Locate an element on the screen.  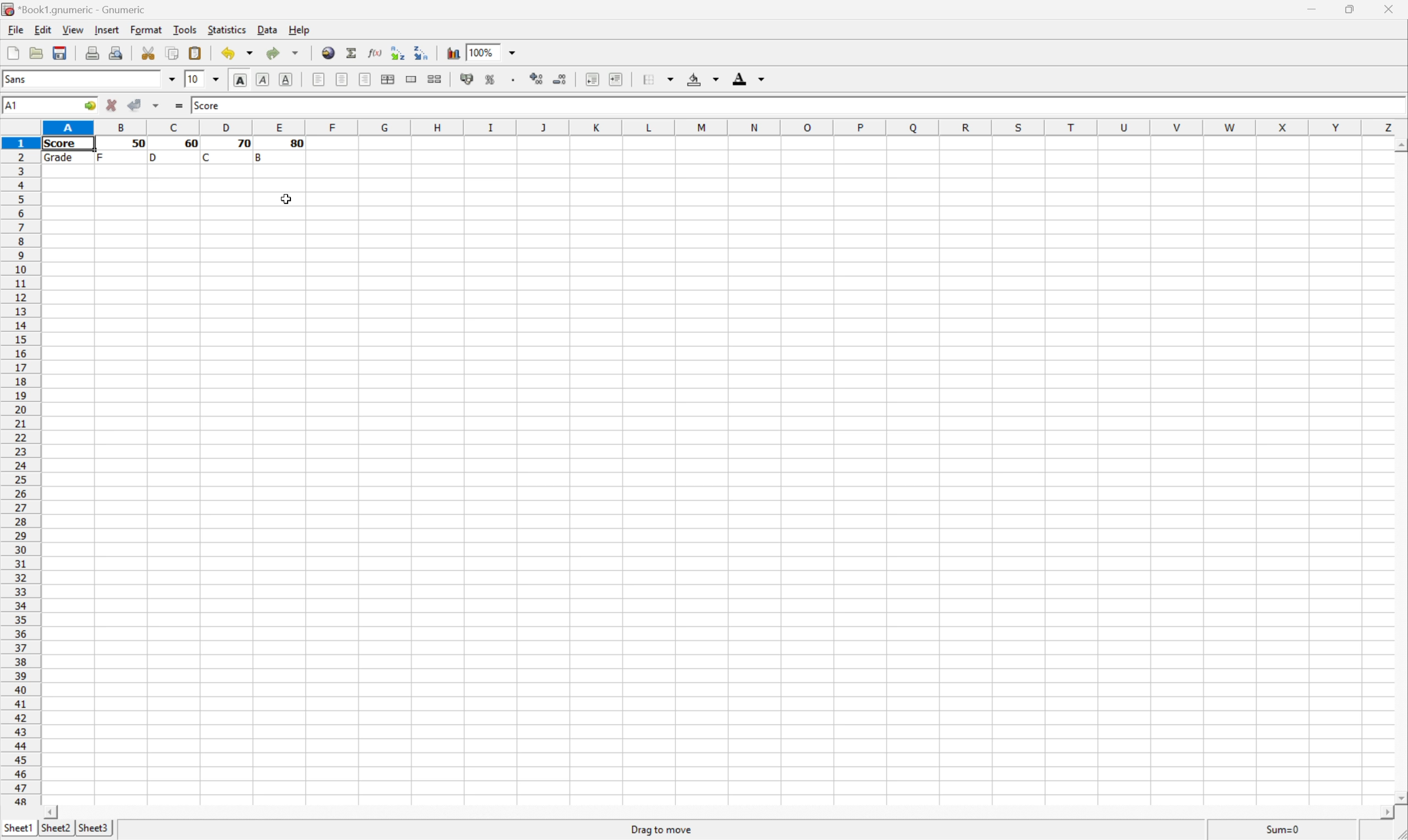
Score is located at coordinates (207, 104).